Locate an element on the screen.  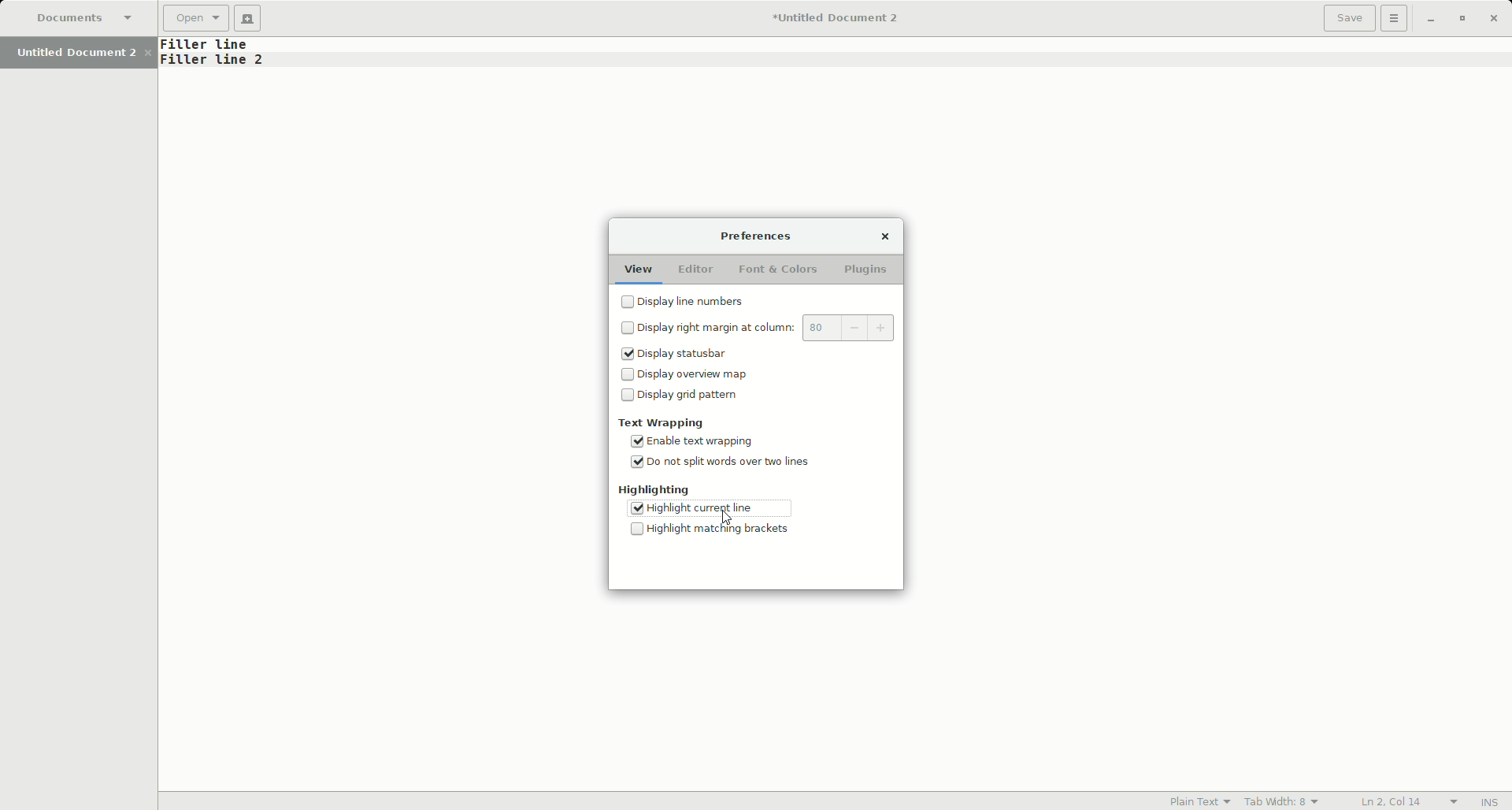
Text line 2 is located at coordinates (214, 61).